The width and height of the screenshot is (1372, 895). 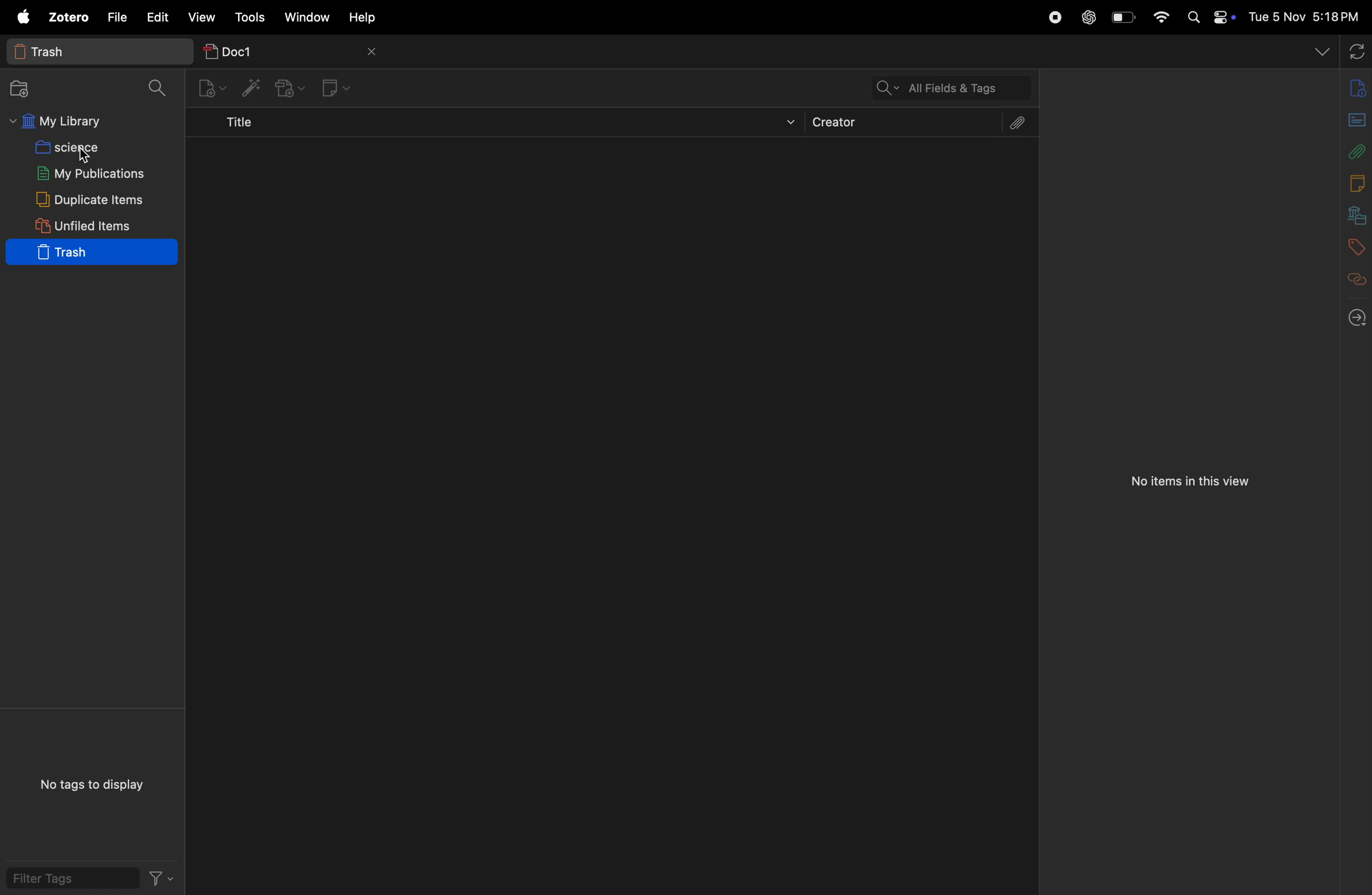 What do you see at coordinates (1014, 125) in the screenshot?
I see `attachments` at bounding box center [1014, 125].